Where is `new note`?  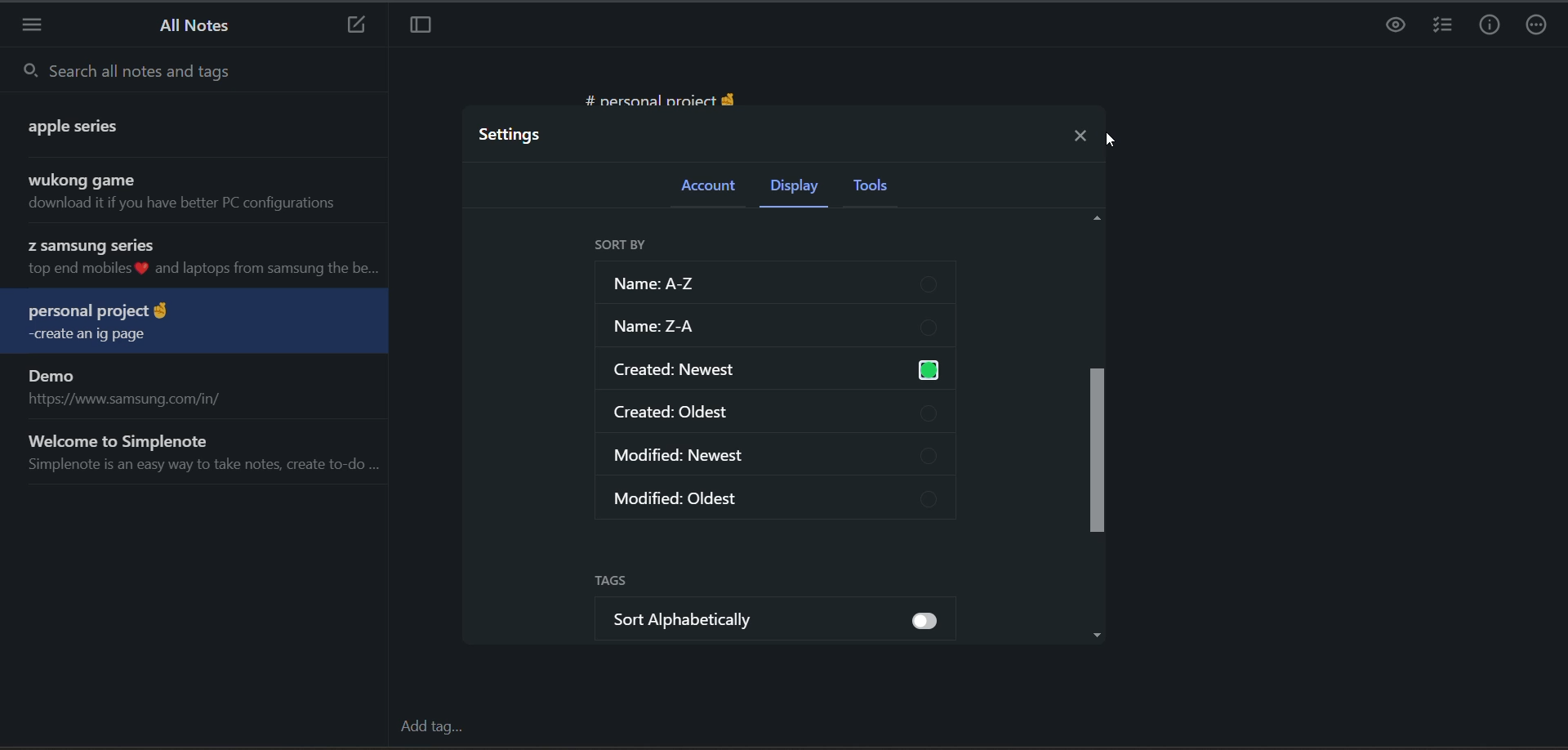
new note is located at coordinates (353, 25).